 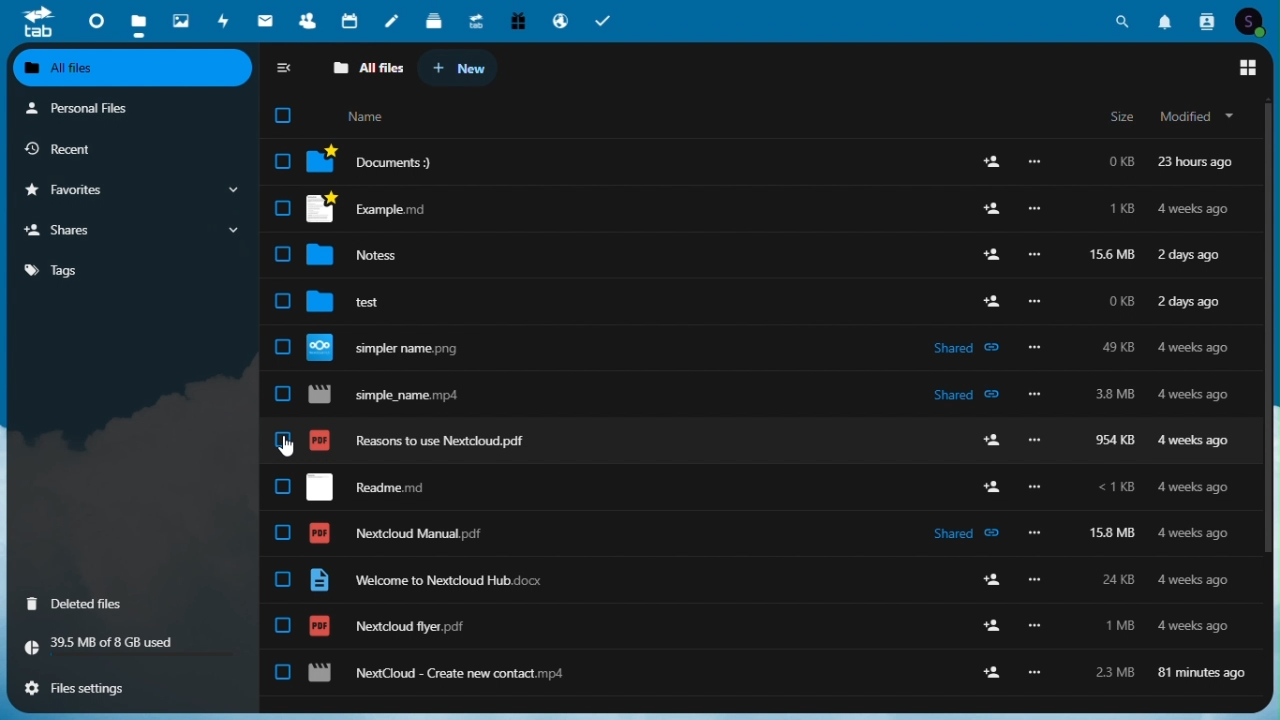 I want to click on  add user, so click(x=992, y=671).